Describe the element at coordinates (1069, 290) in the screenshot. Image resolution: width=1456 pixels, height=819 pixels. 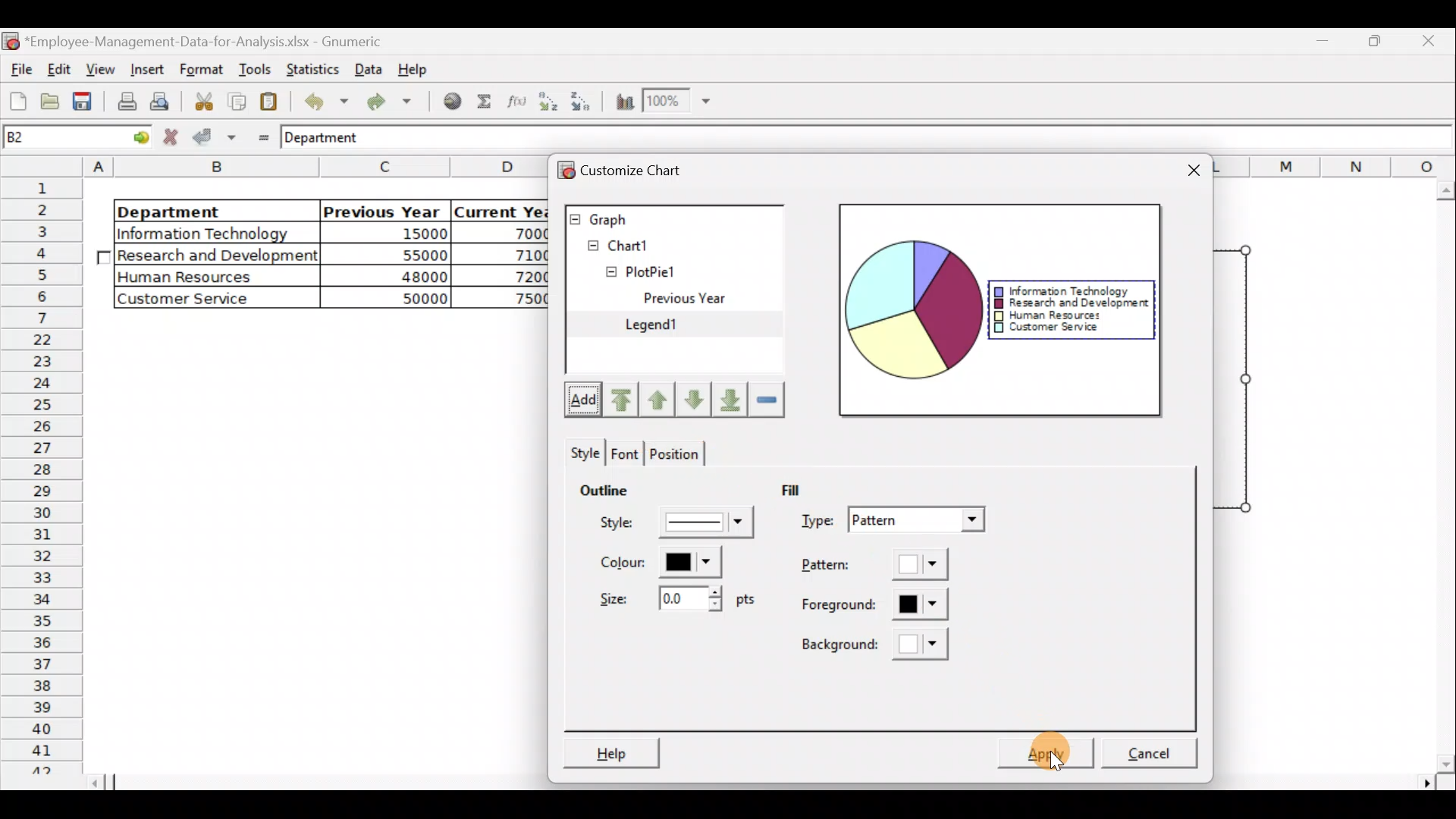
I see `Information Technology` at that location.